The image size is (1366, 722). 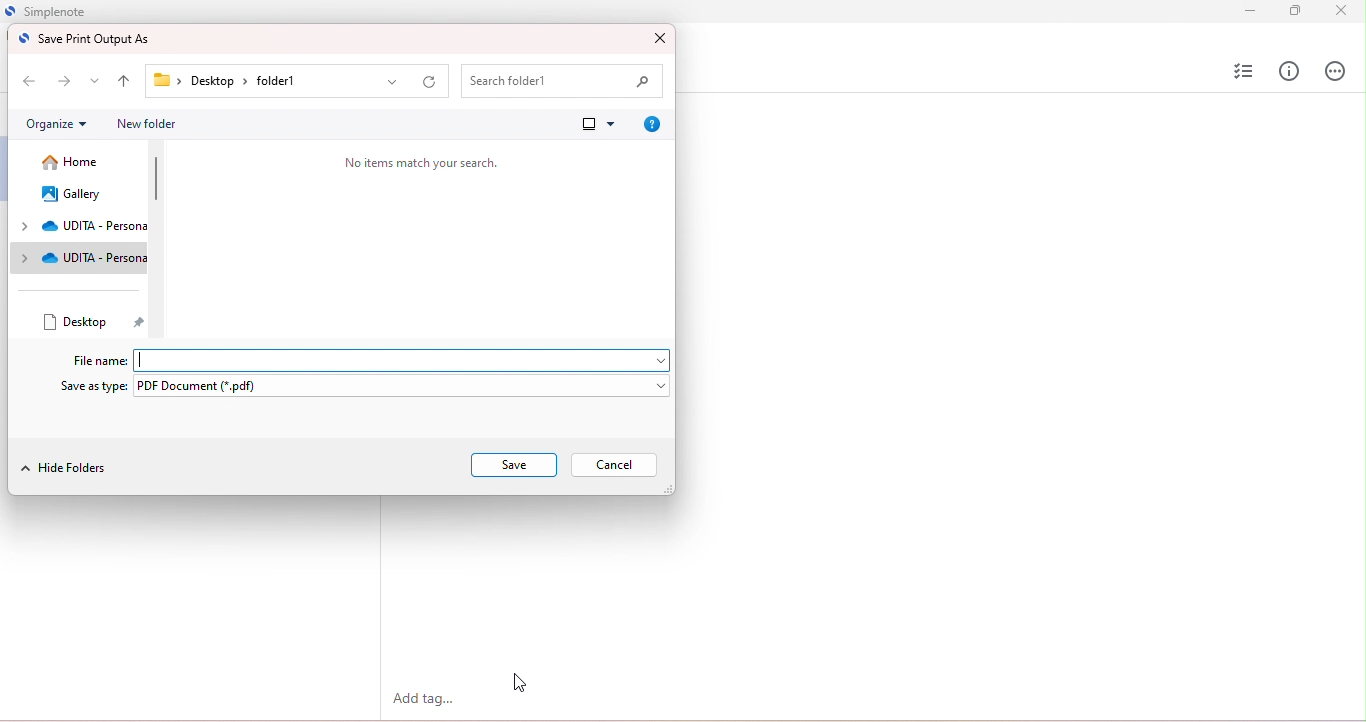 I want to click on up to previous folder, so click(x=125, y=83).